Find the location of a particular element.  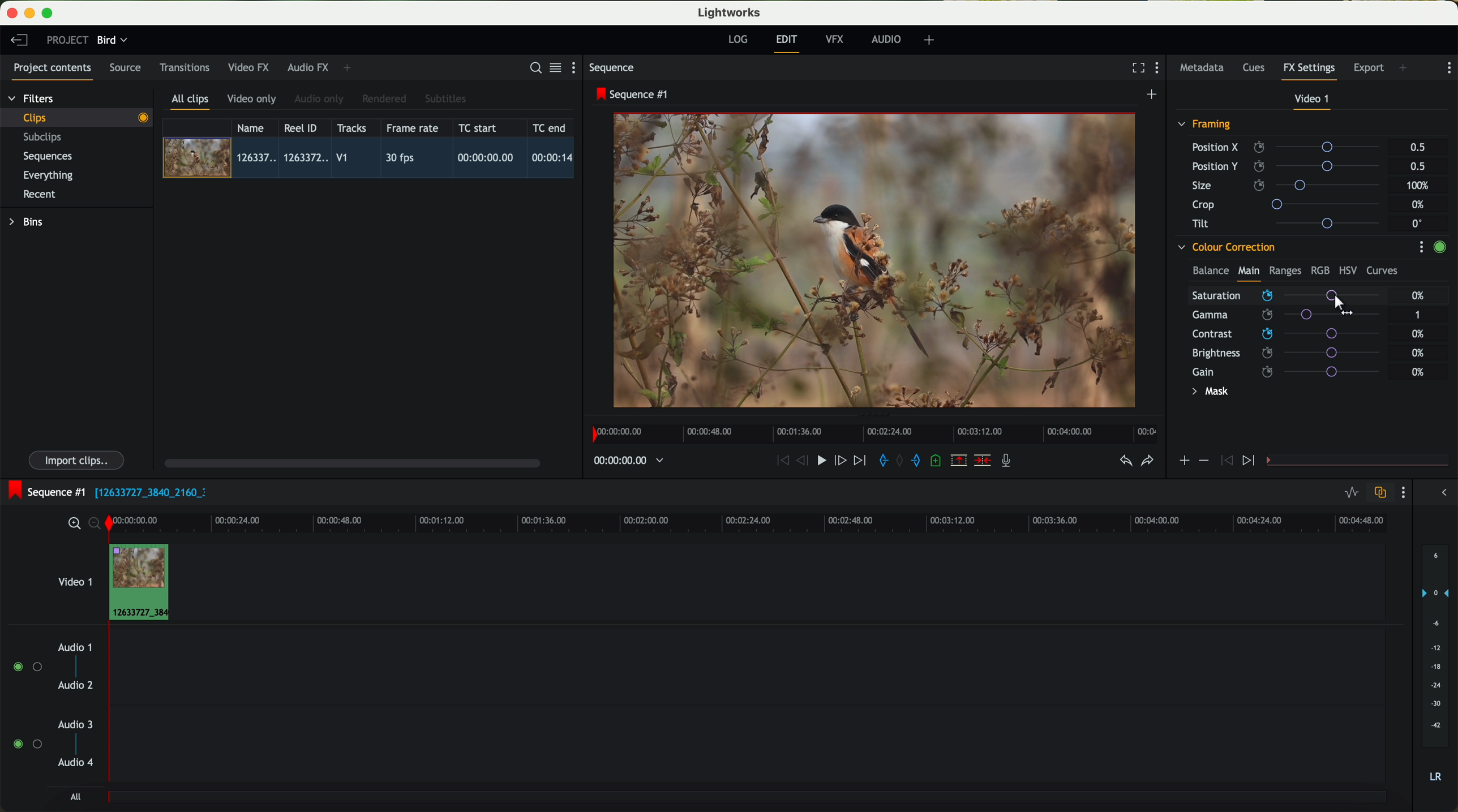

icon is located at coordinates (1183, 462).